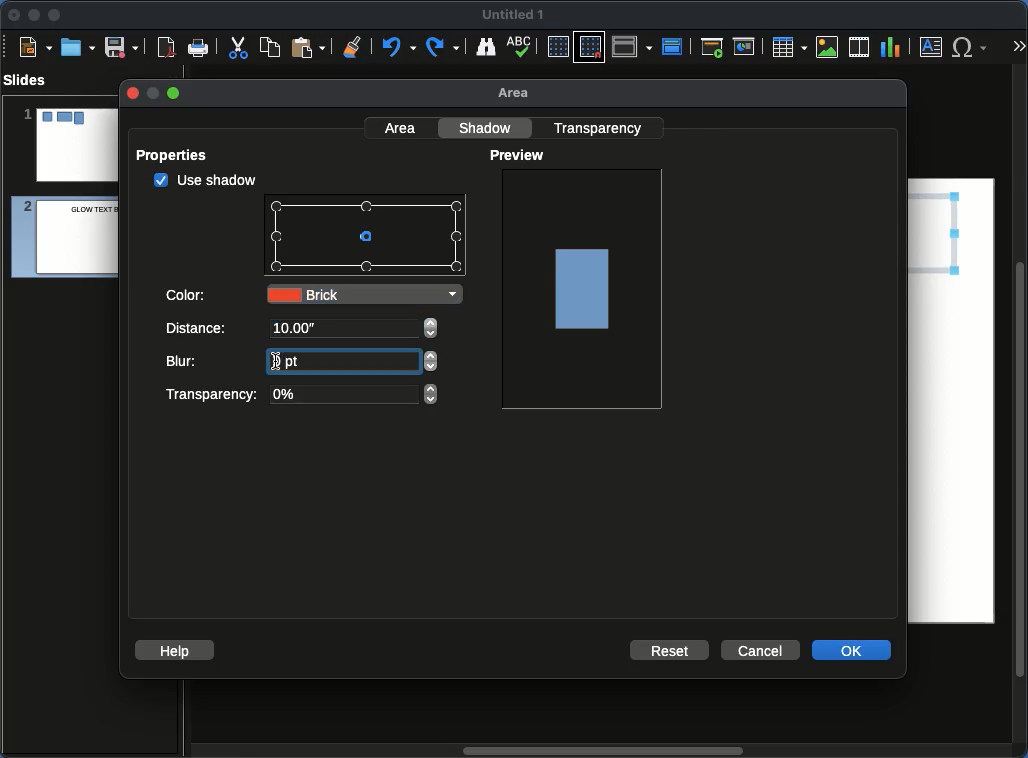 This screenshot has width=1028, height=758. I want to click on Scroll, so click(1022, 413).